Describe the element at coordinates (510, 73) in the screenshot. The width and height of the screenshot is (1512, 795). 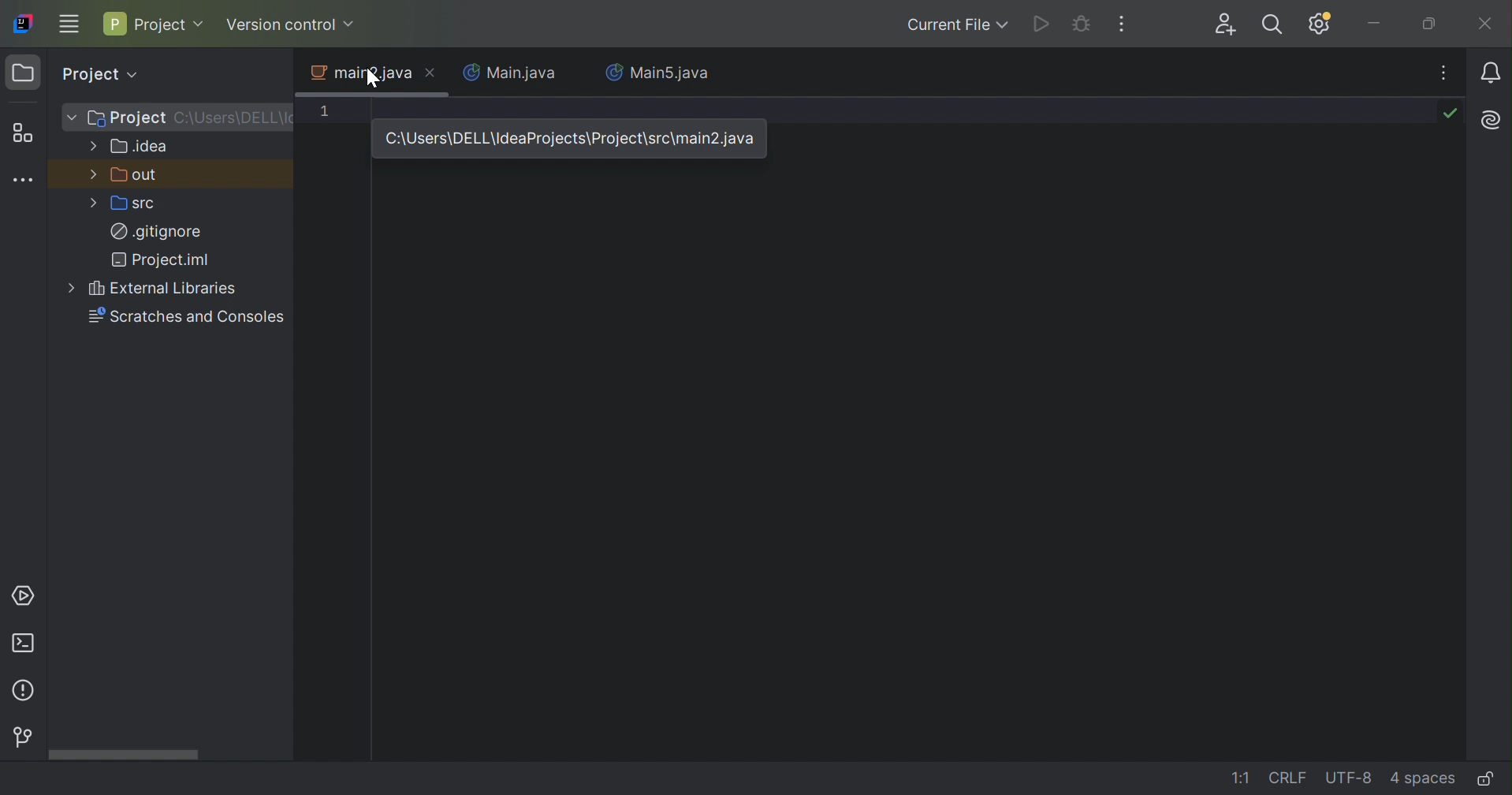
I see `Main.java` at that location.